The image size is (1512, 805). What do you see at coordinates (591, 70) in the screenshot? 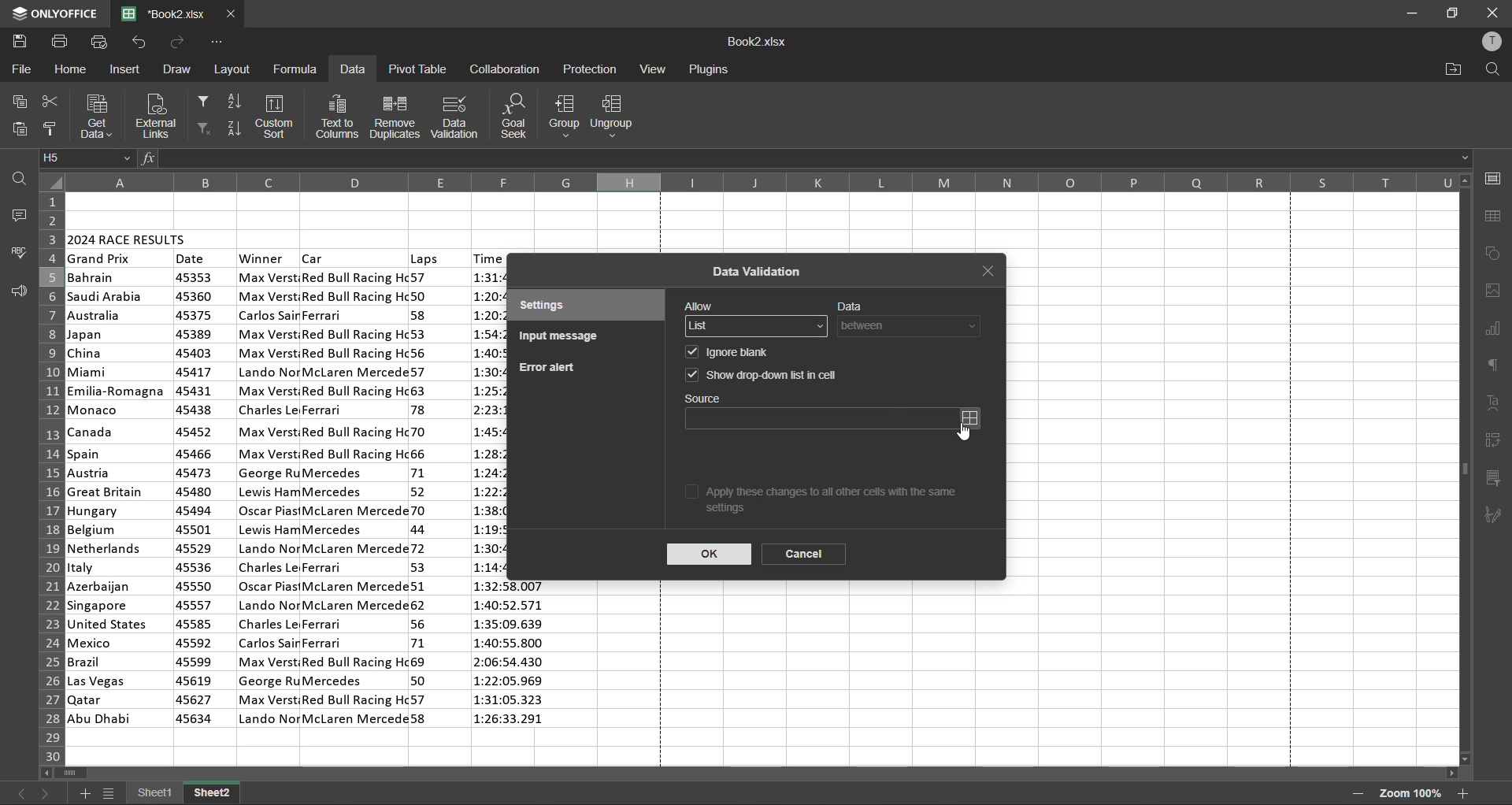
I see `protection` at bounding box center [591, 70].